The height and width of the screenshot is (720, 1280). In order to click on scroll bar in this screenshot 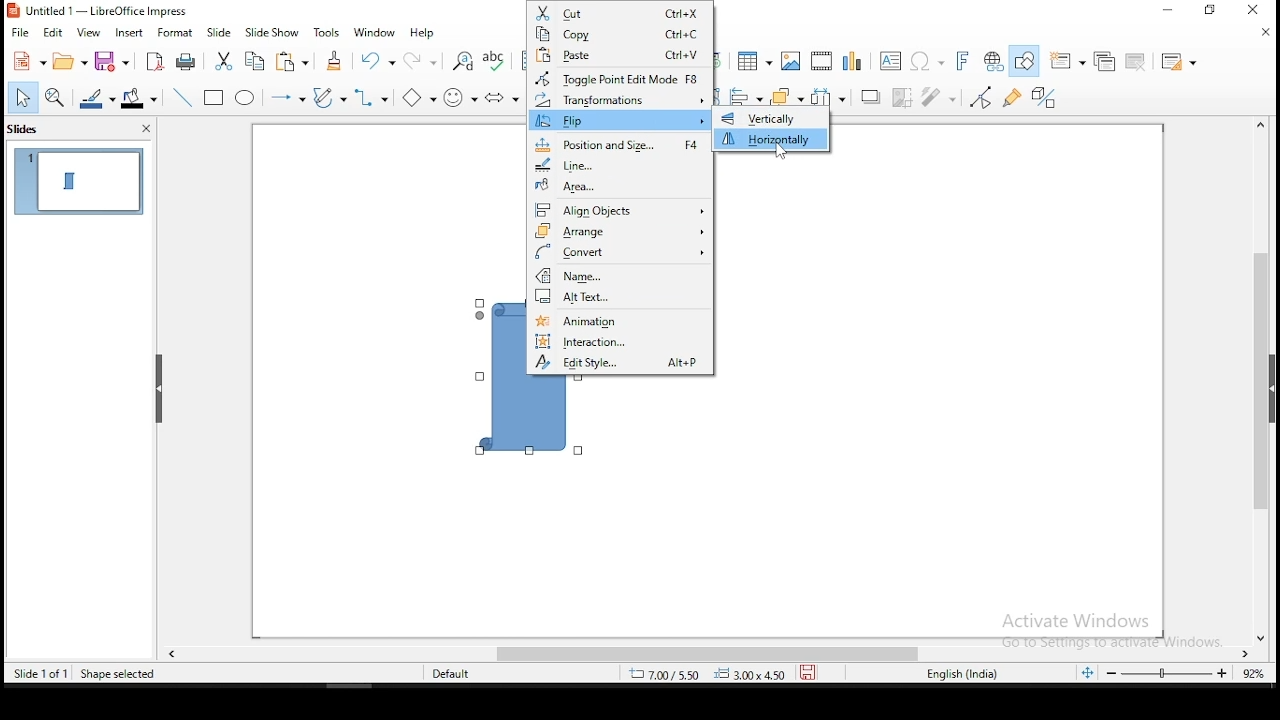, I will do `click(703, 651)`.